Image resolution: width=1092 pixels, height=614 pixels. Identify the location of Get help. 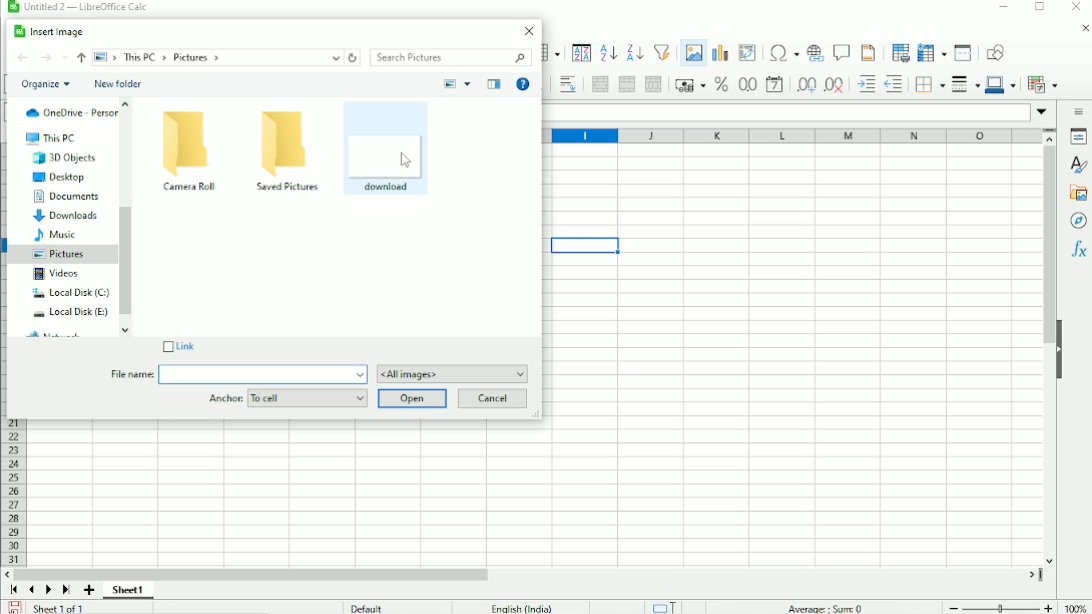
(523, 85).